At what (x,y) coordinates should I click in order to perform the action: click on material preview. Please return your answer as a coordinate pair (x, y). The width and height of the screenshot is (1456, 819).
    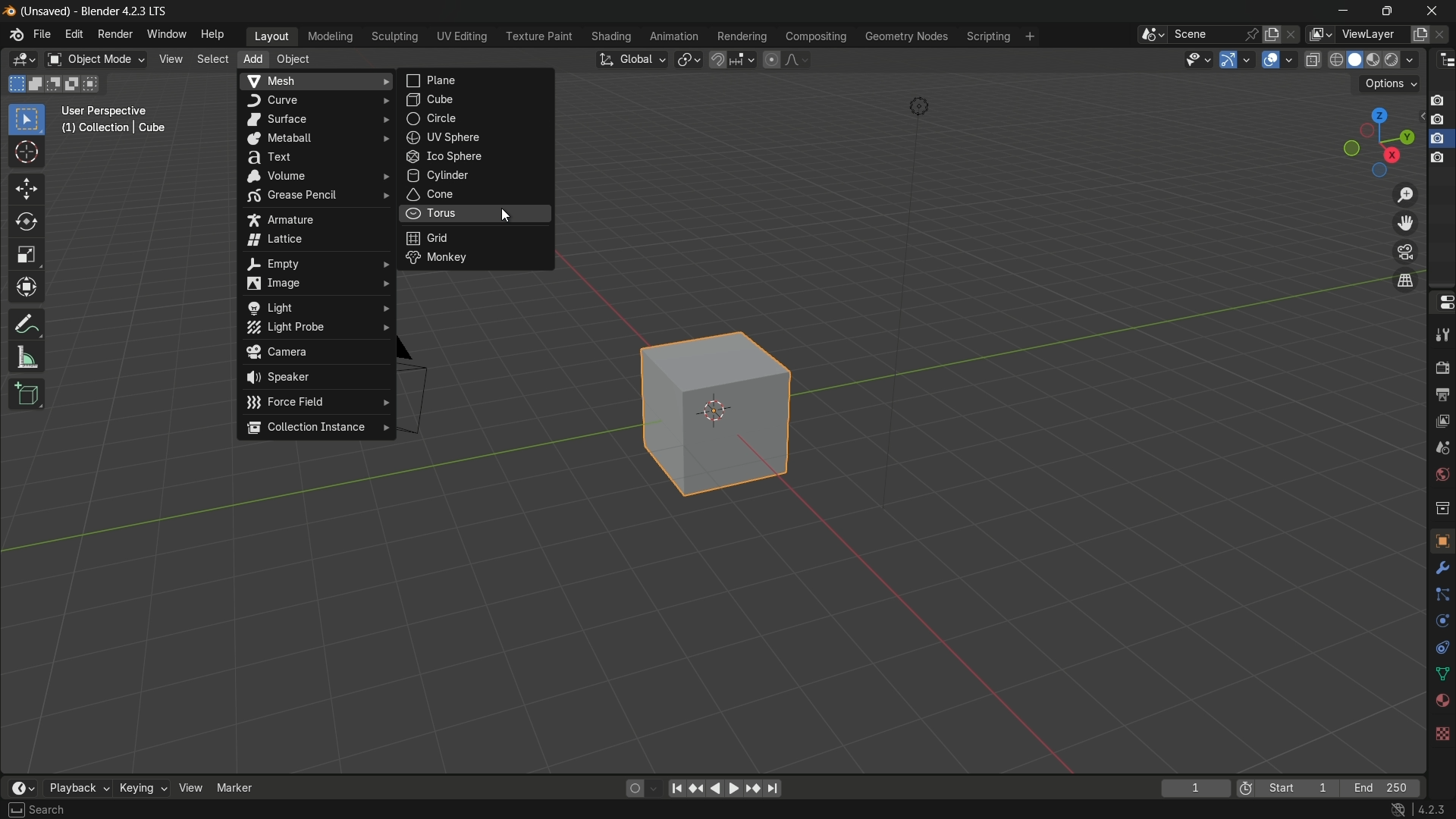
    Looking at the image, I should click on (1403, 60).